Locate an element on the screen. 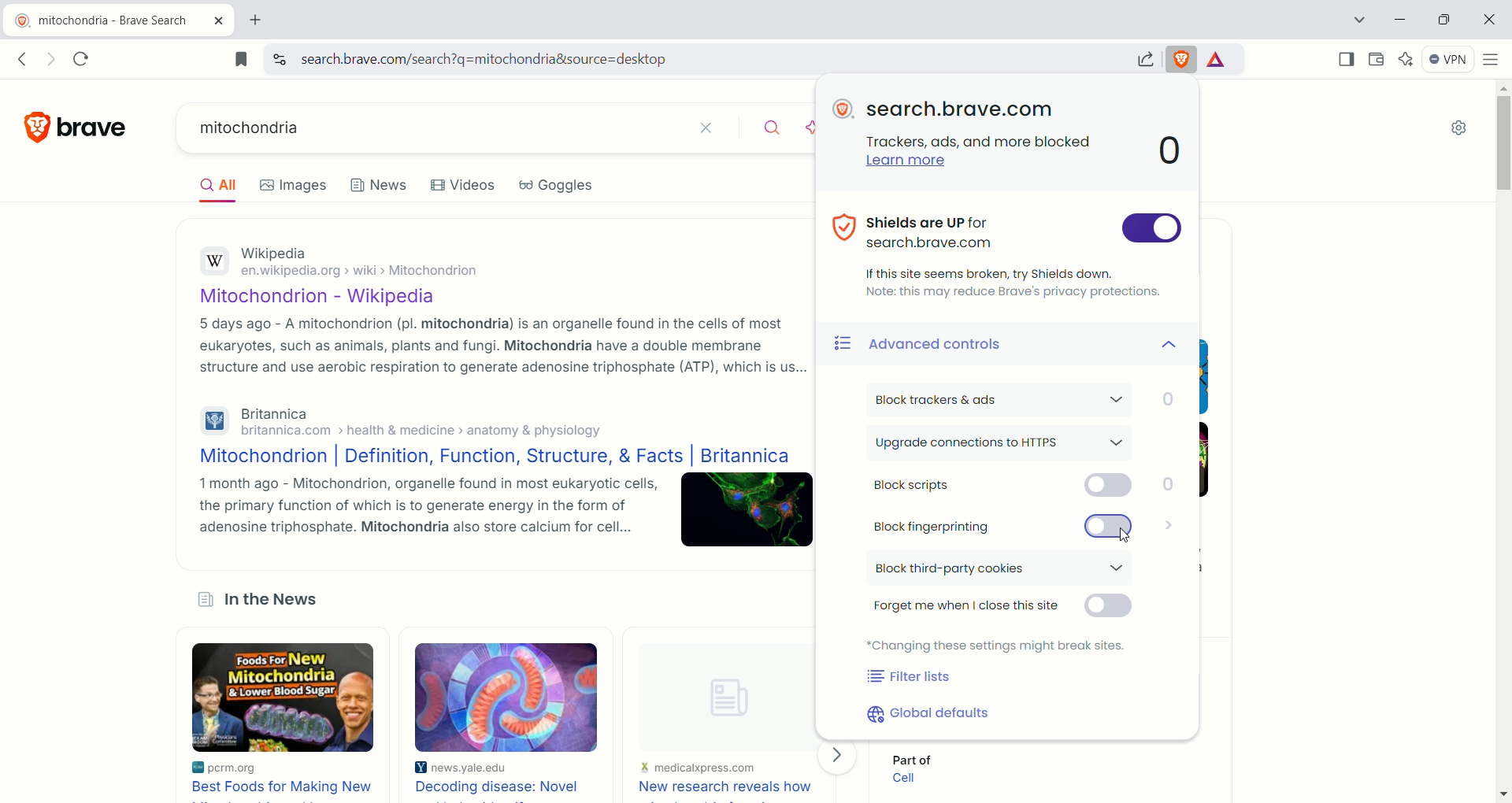 The height and width of the screenshot is (803, 1512). customize and control brave is located at coordinates (1492, 61).